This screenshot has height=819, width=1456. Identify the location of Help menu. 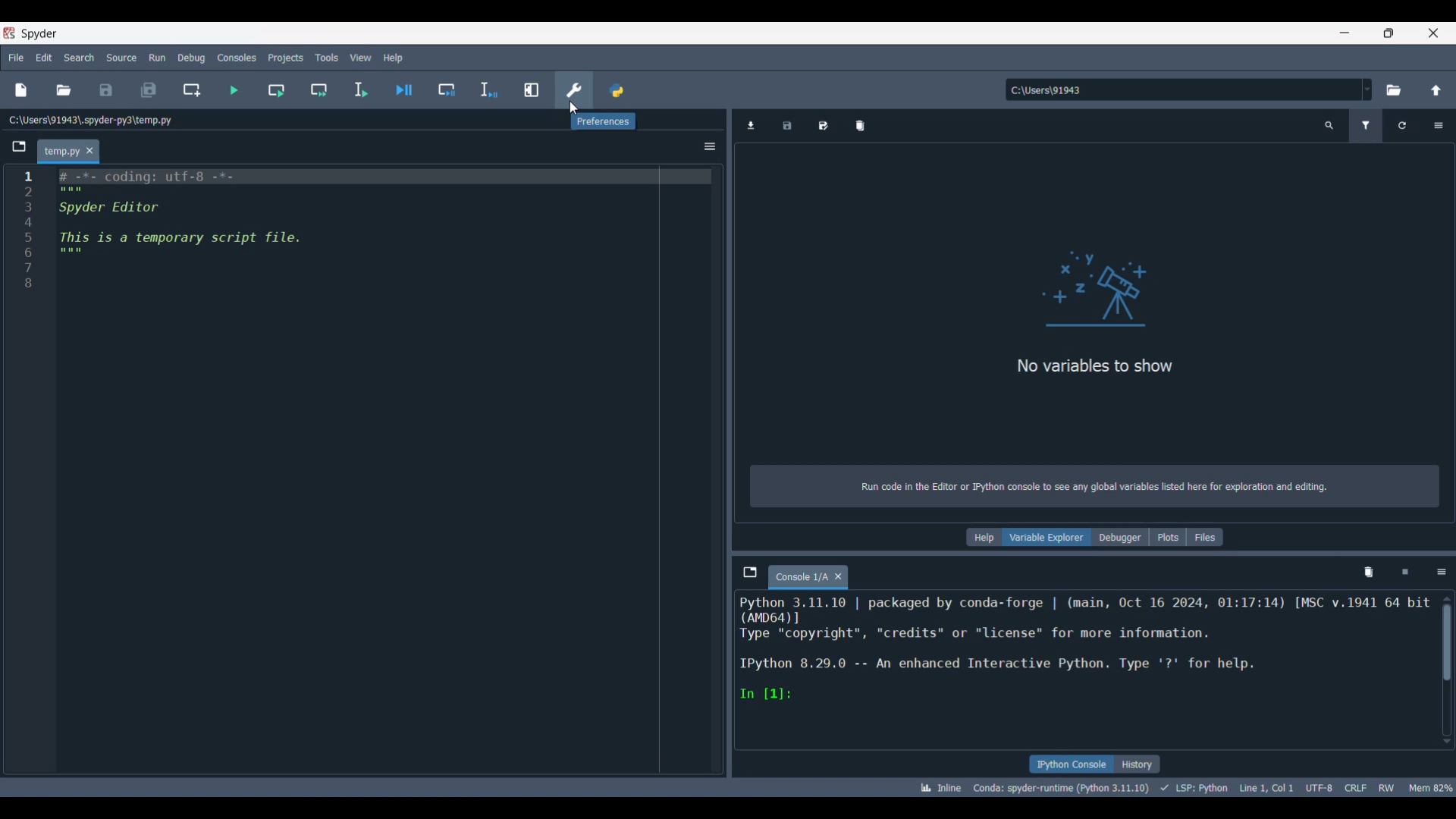
(393, 58).